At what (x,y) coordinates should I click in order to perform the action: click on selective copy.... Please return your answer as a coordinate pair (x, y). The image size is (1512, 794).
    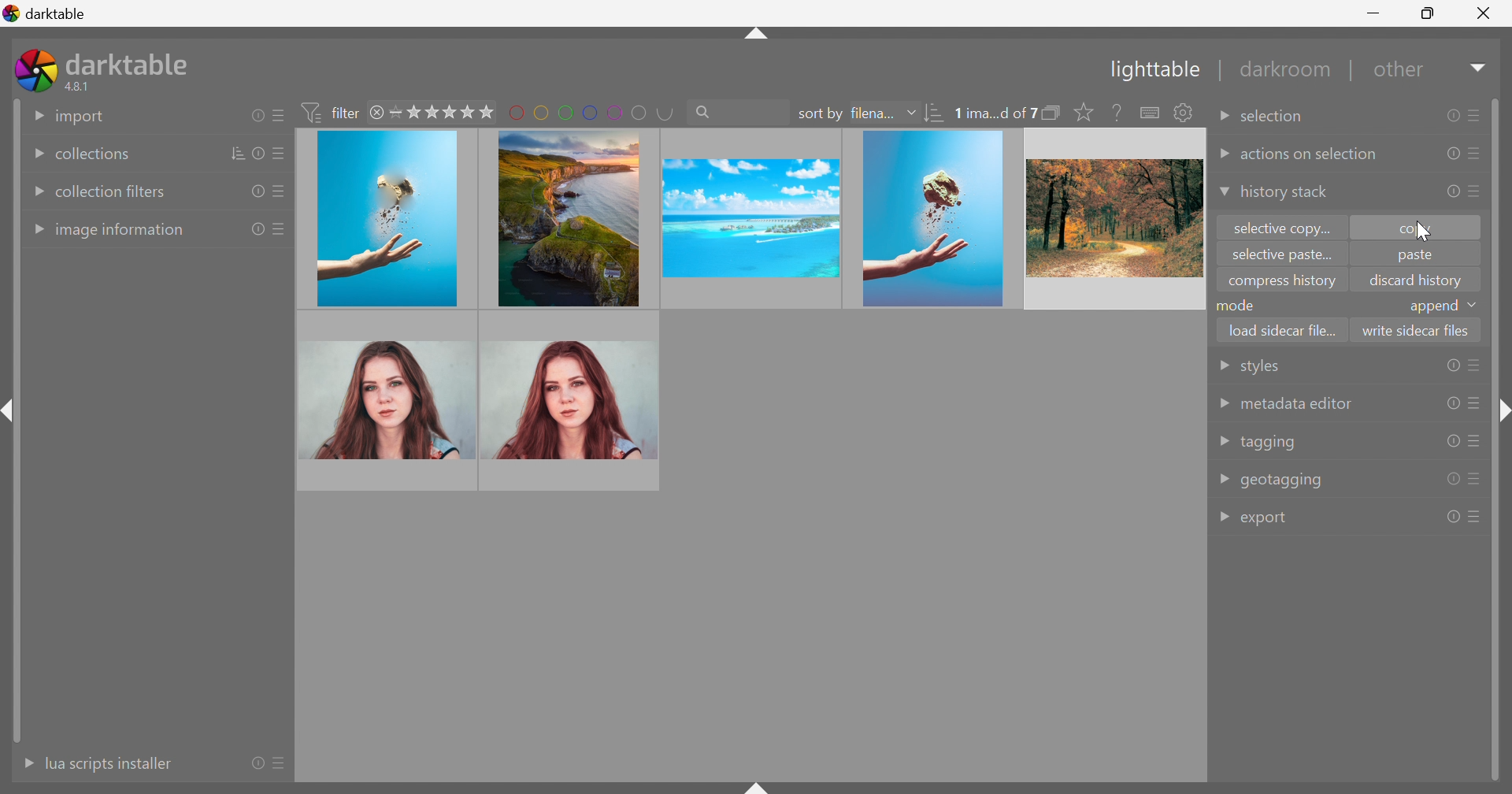
    Looking at the image, I should click on (1284, 228).